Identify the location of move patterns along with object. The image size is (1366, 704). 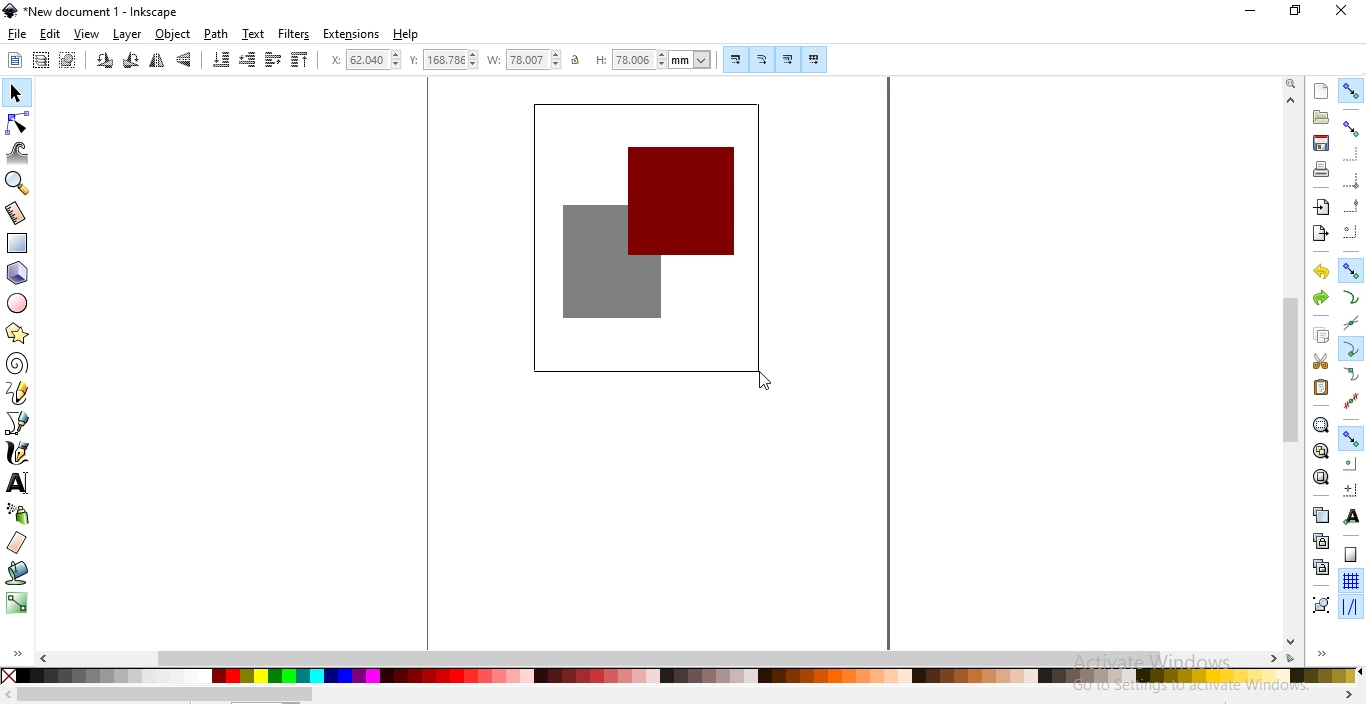
(814, 60).